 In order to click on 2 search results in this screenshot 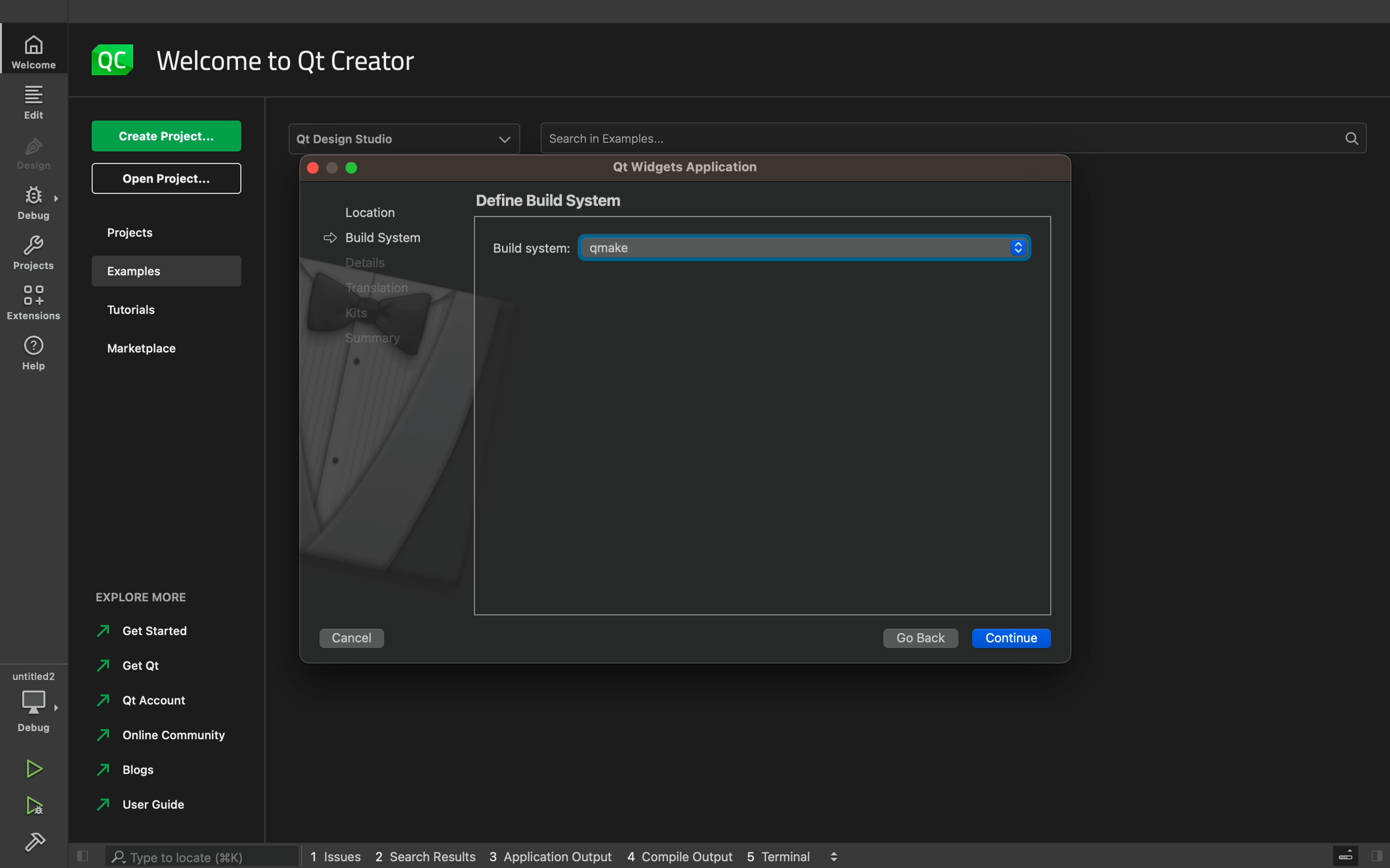, I will do `click(428, 857)`.